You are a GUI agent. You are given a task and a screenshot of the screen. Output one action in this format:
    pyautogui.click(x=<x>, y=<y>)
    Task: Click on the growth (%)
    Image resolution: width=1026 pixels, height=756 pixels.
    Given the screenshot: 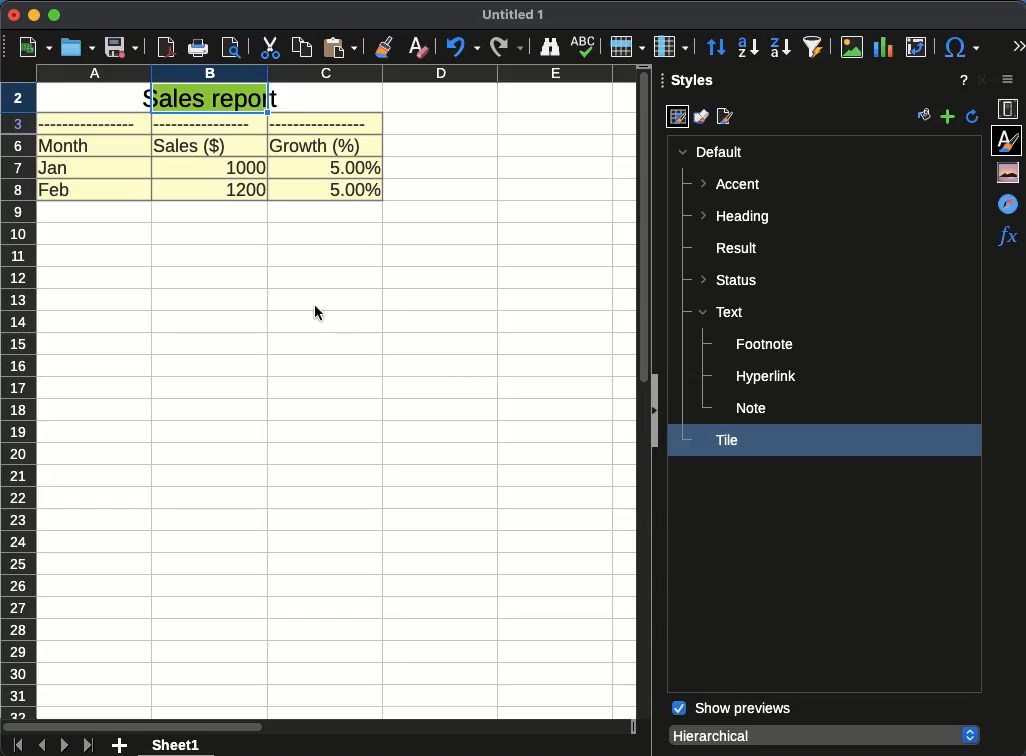 What is the action you would take?
    pyautogui.click(x=319, y=144)
    